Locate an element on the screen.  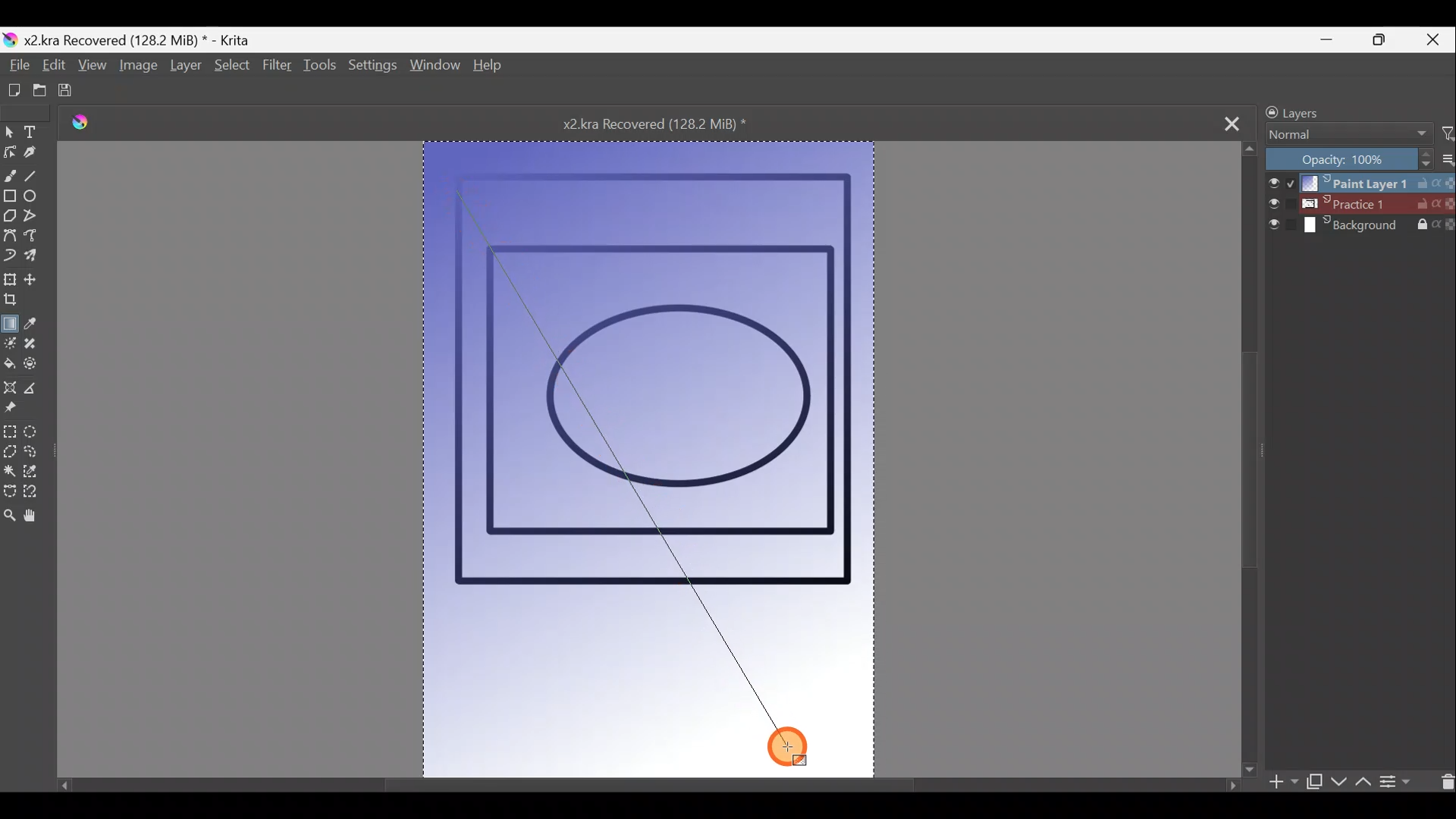
Scroll bar is located at coordinates (644, 780).